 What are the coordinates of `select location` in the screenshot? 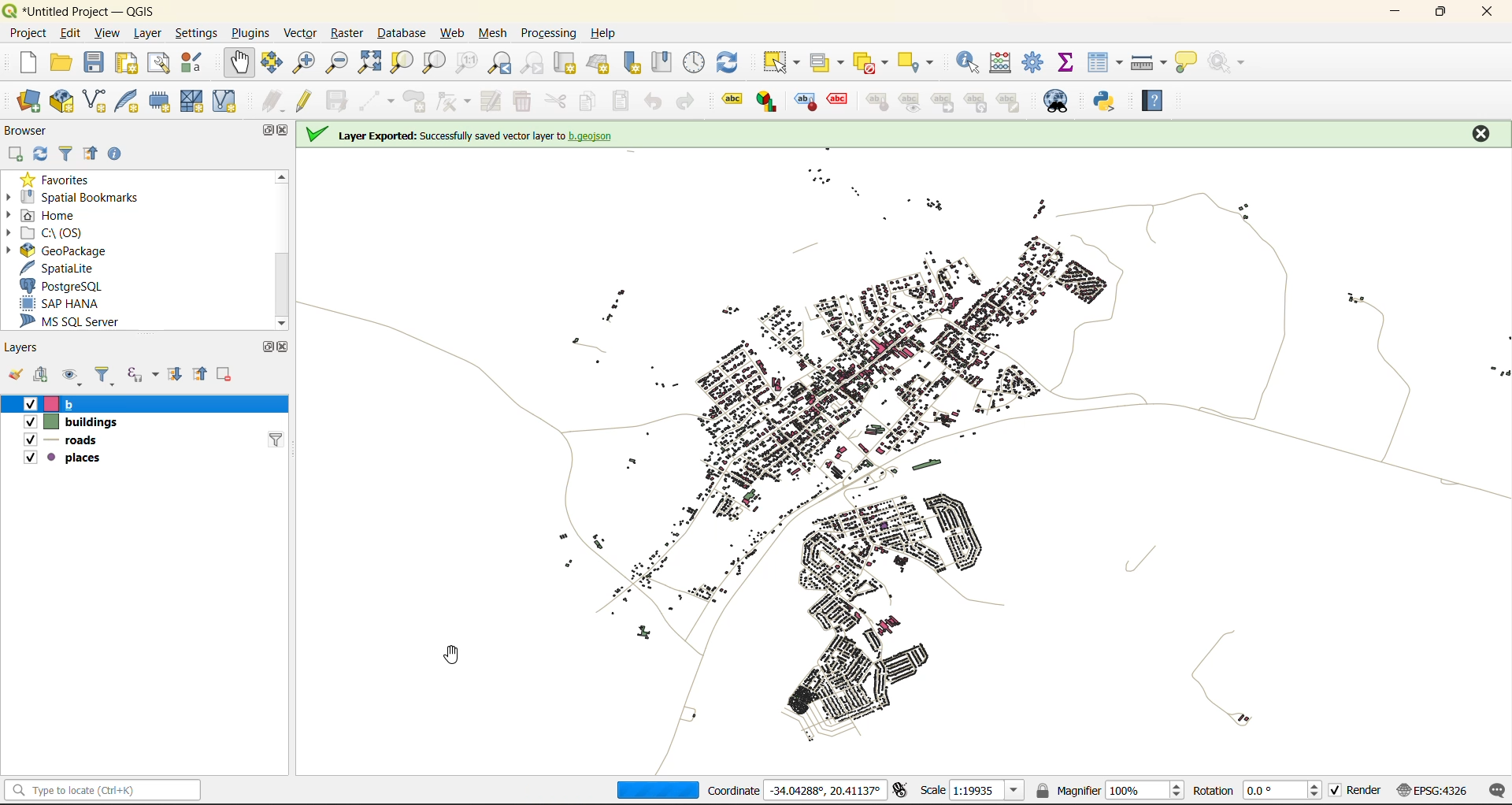 It's located at (921, 62).